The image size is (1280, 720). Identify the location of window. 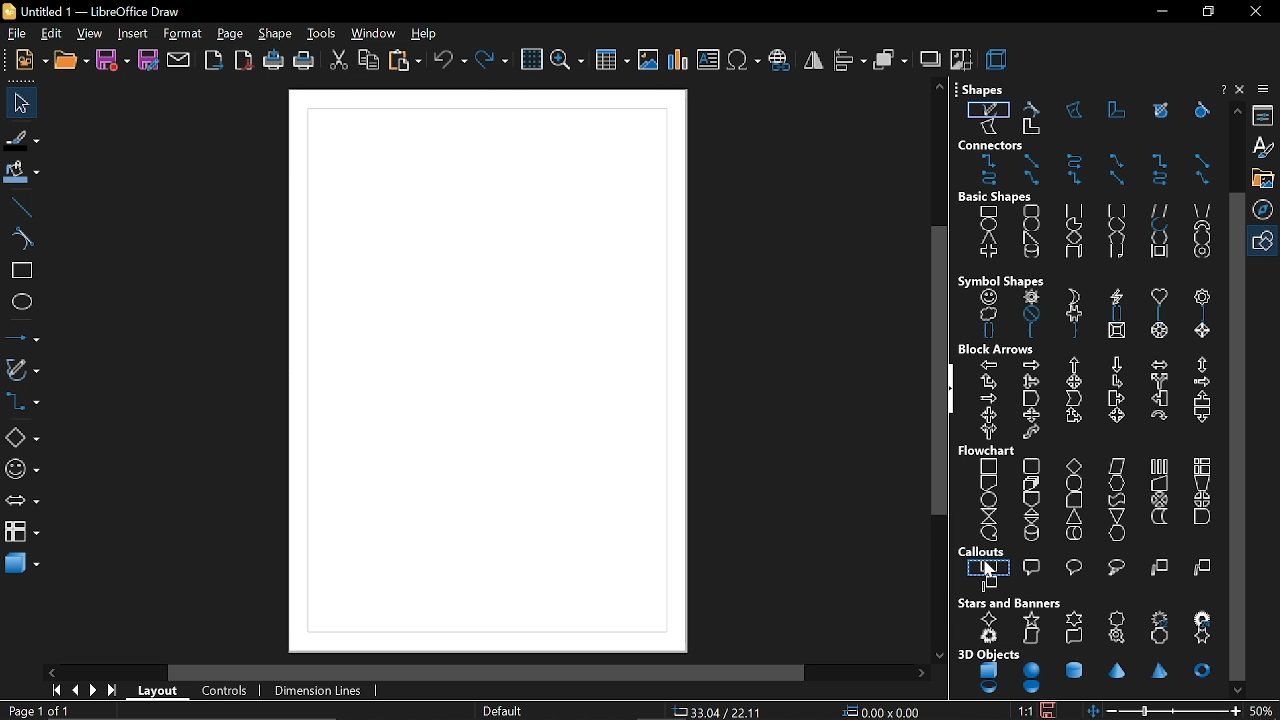
(374, 34).